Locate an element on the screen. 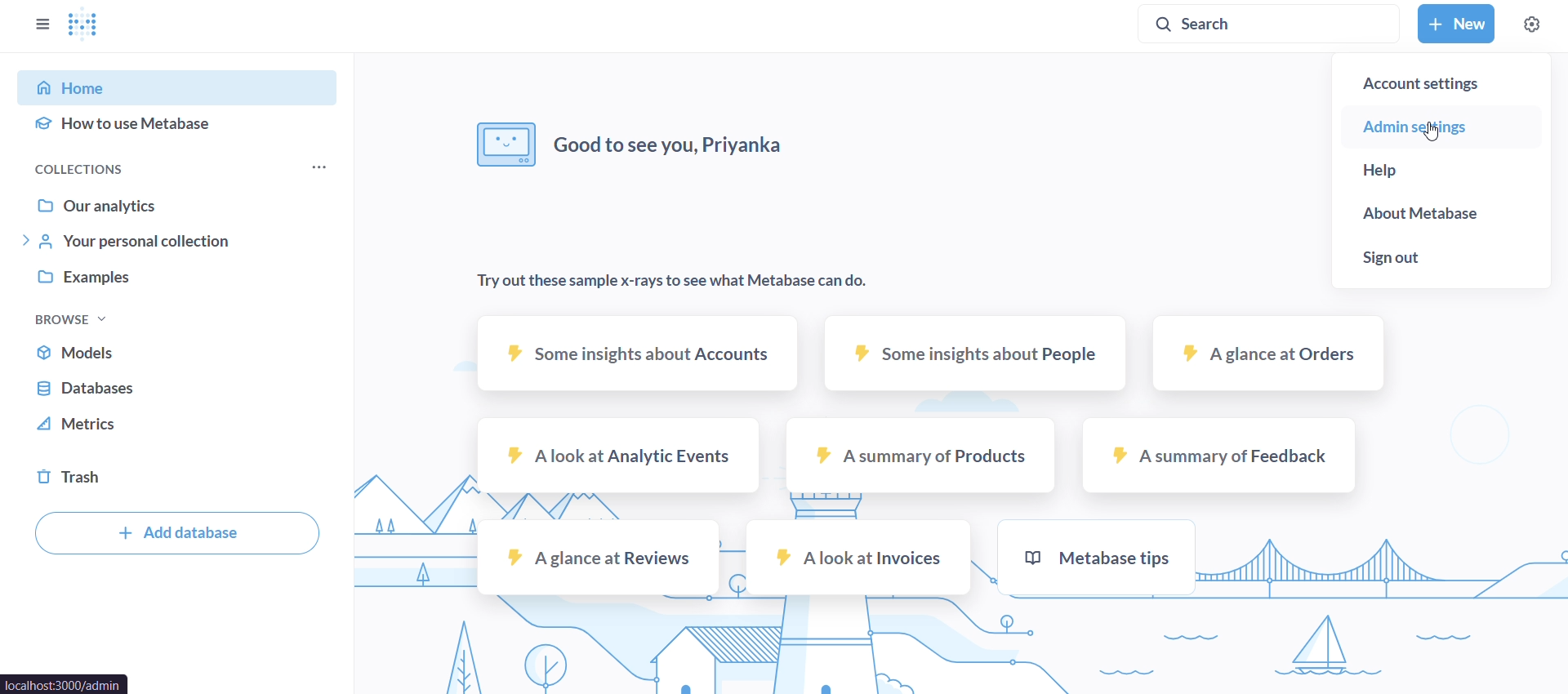 Image resolution: width=1568 pixels, height=694 pixels. search is located at coordinates (1270, 24).